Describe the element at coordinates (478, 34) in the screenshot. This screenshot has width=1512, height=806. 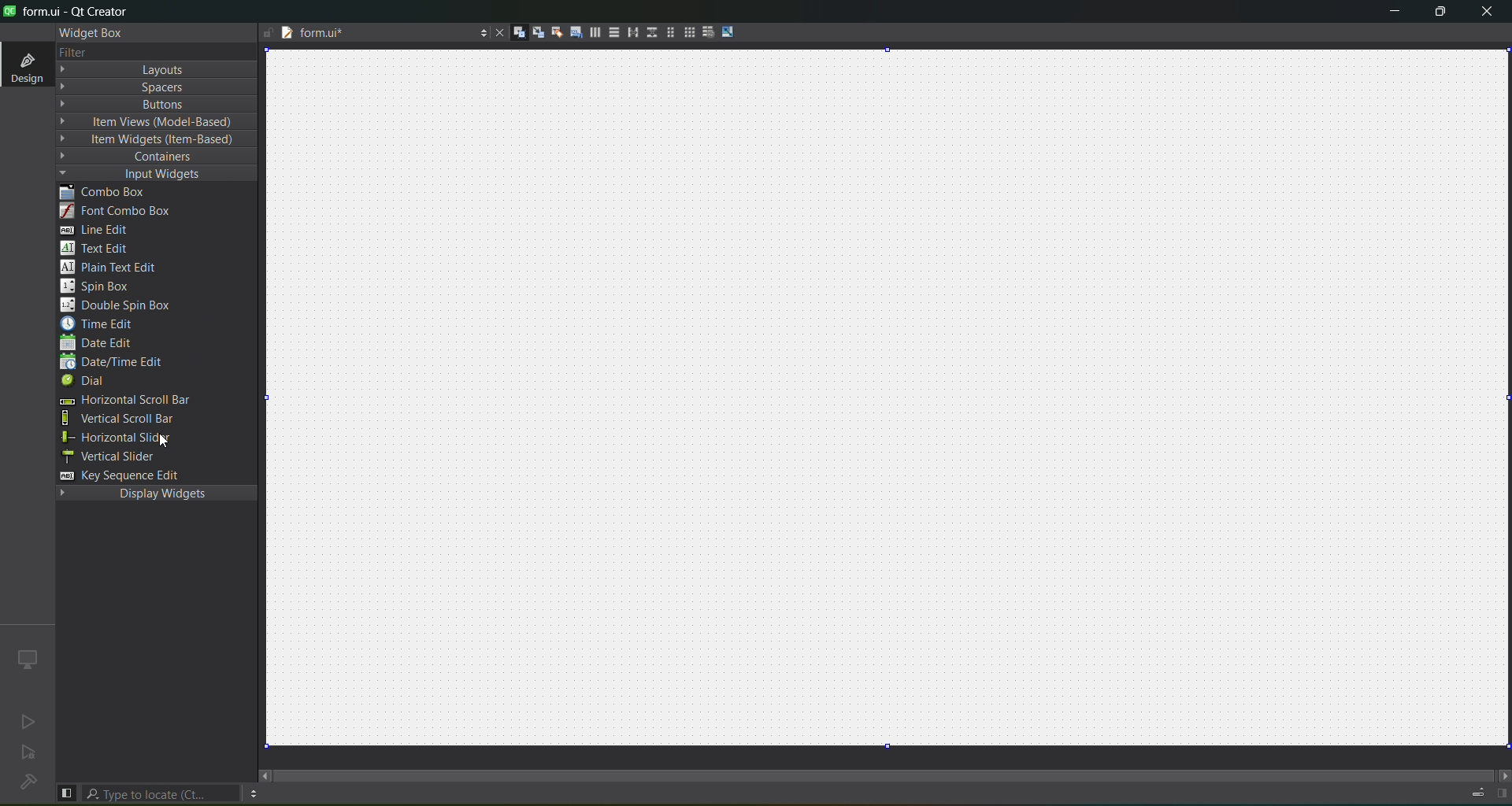
I see `options` at that location.